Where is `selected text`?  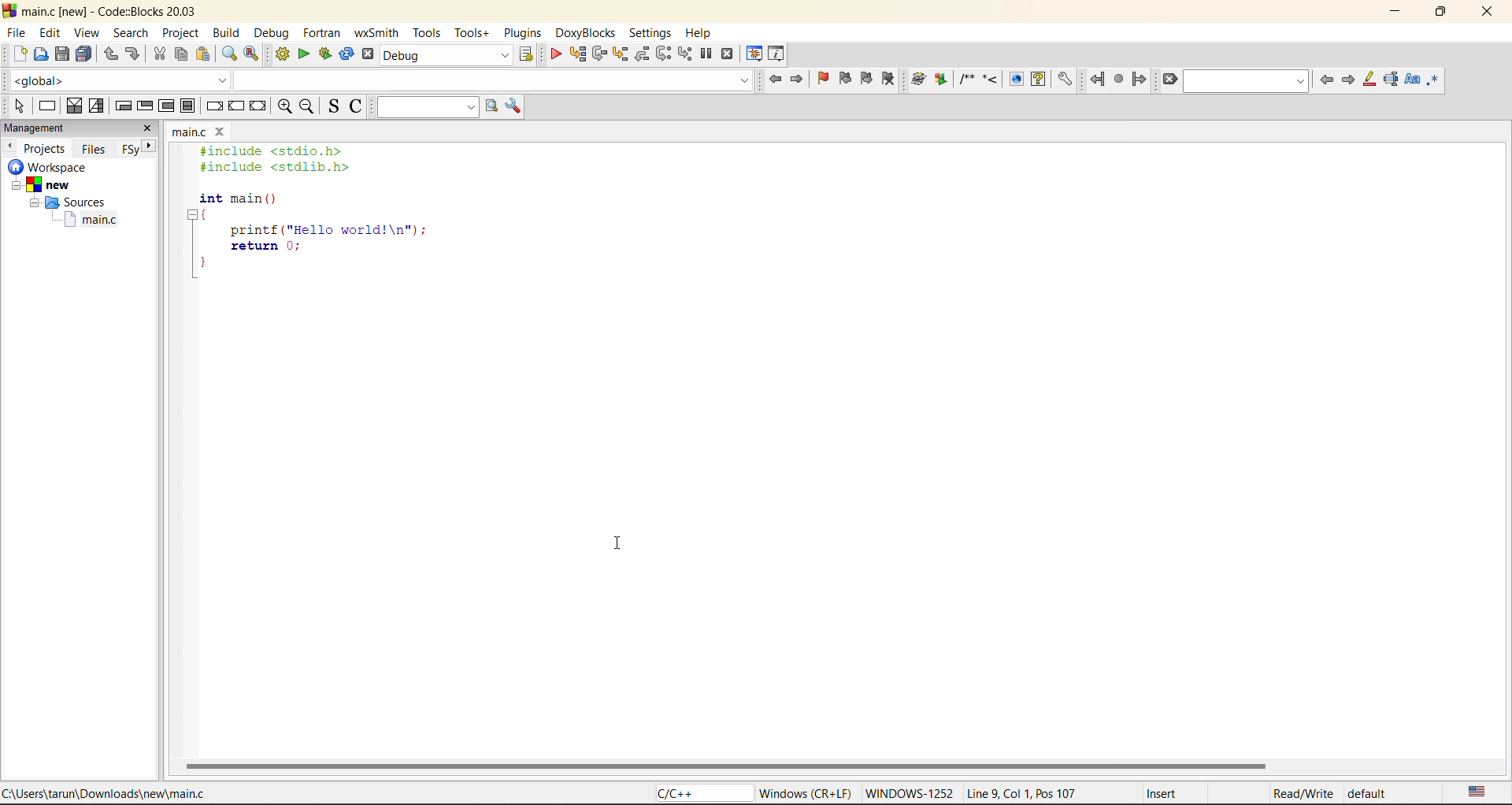 selected text is located at coordinates (1392, 80).